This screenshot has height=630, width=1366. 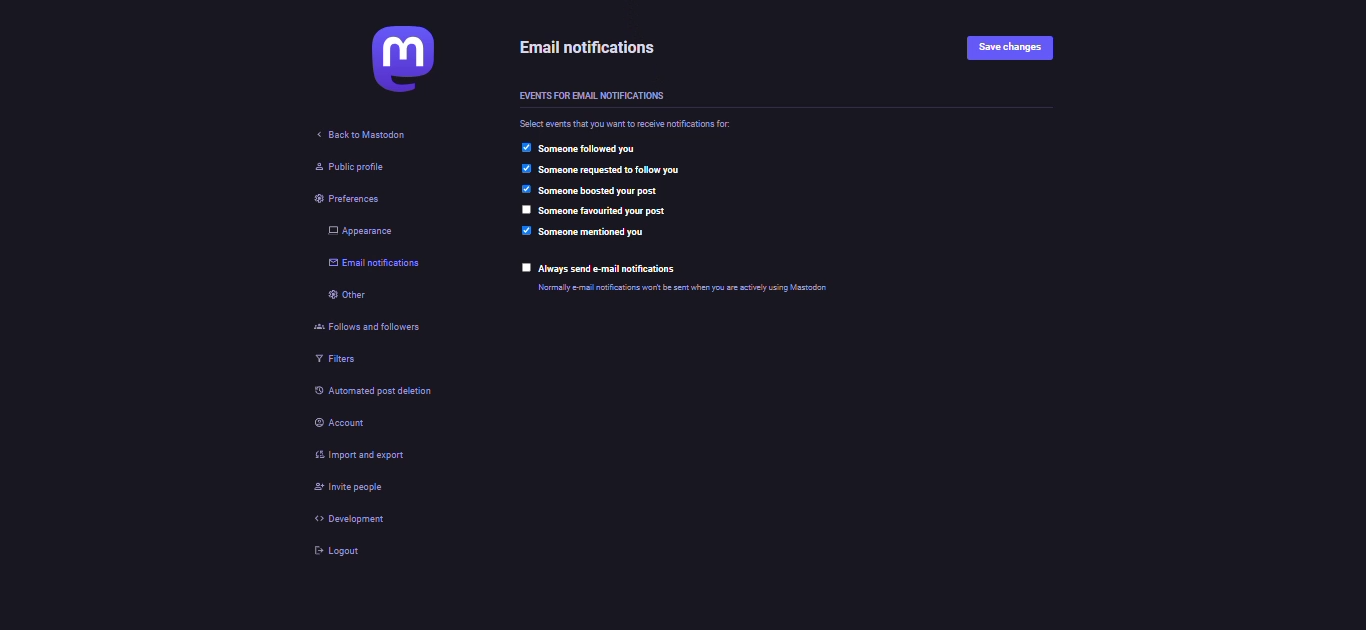 What do you see at coordinates (524, 148) in the screenshot?
I see `enabled` at bounding box center [524, 148].